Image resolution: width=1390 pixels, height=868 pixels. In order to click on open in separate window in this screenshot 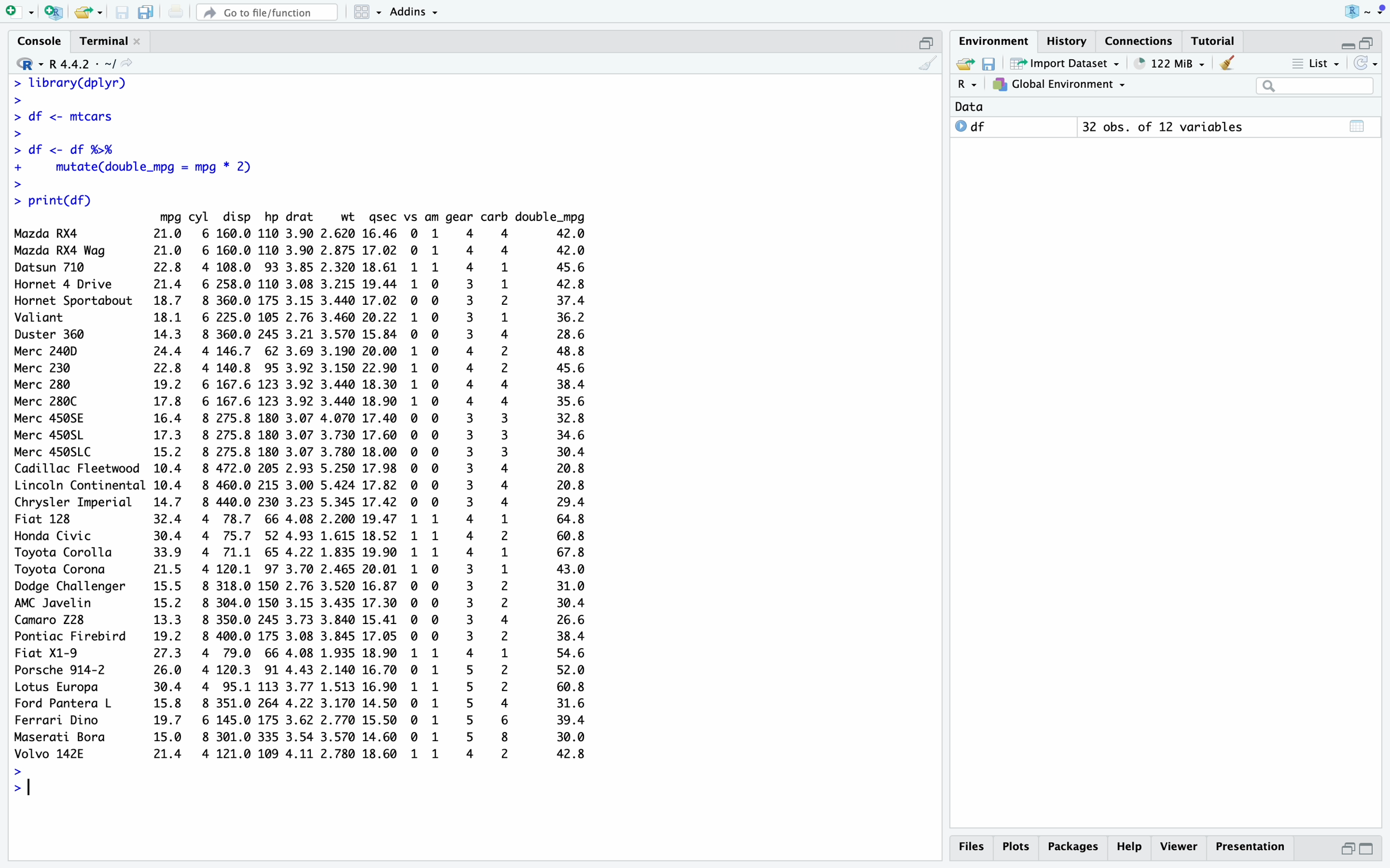, I will do `click(927, 43)`.